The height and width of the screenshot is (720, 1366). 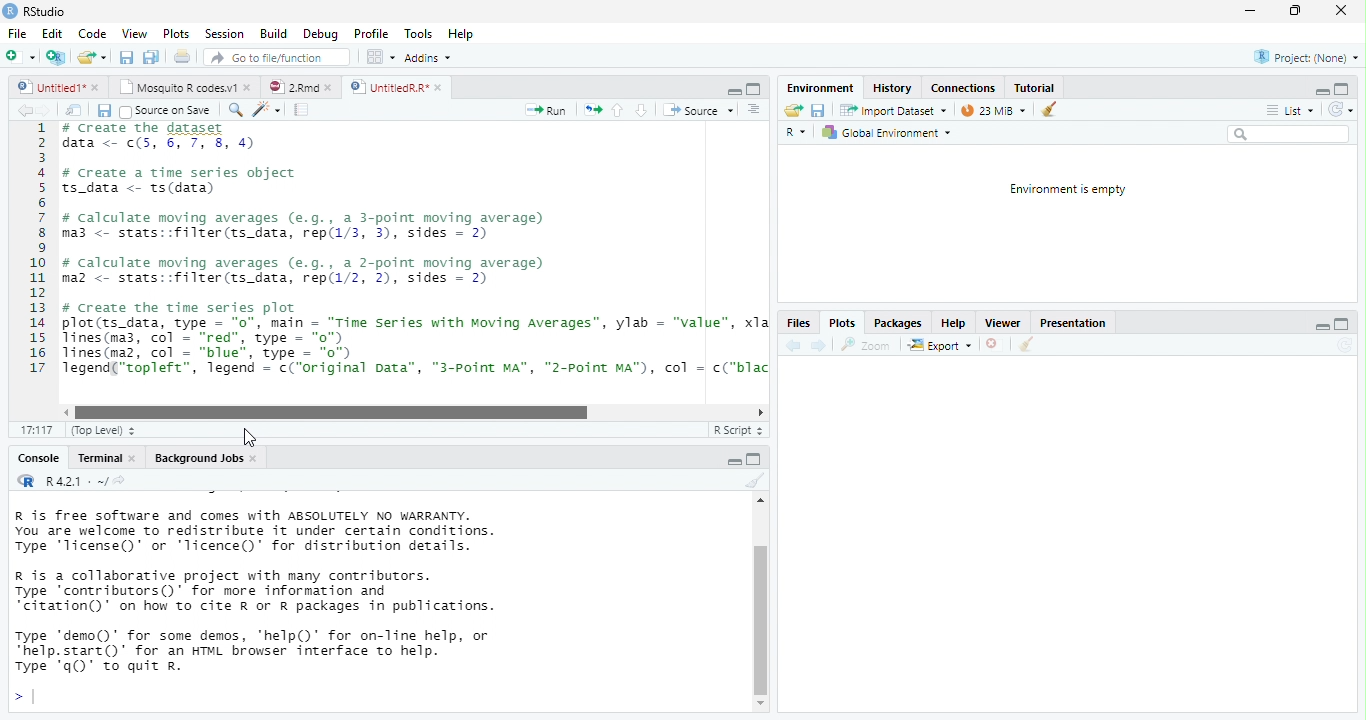 What do you see at coordinates (136, 459) in the screenshot?
I see `close` at bounding box center [136, 459].